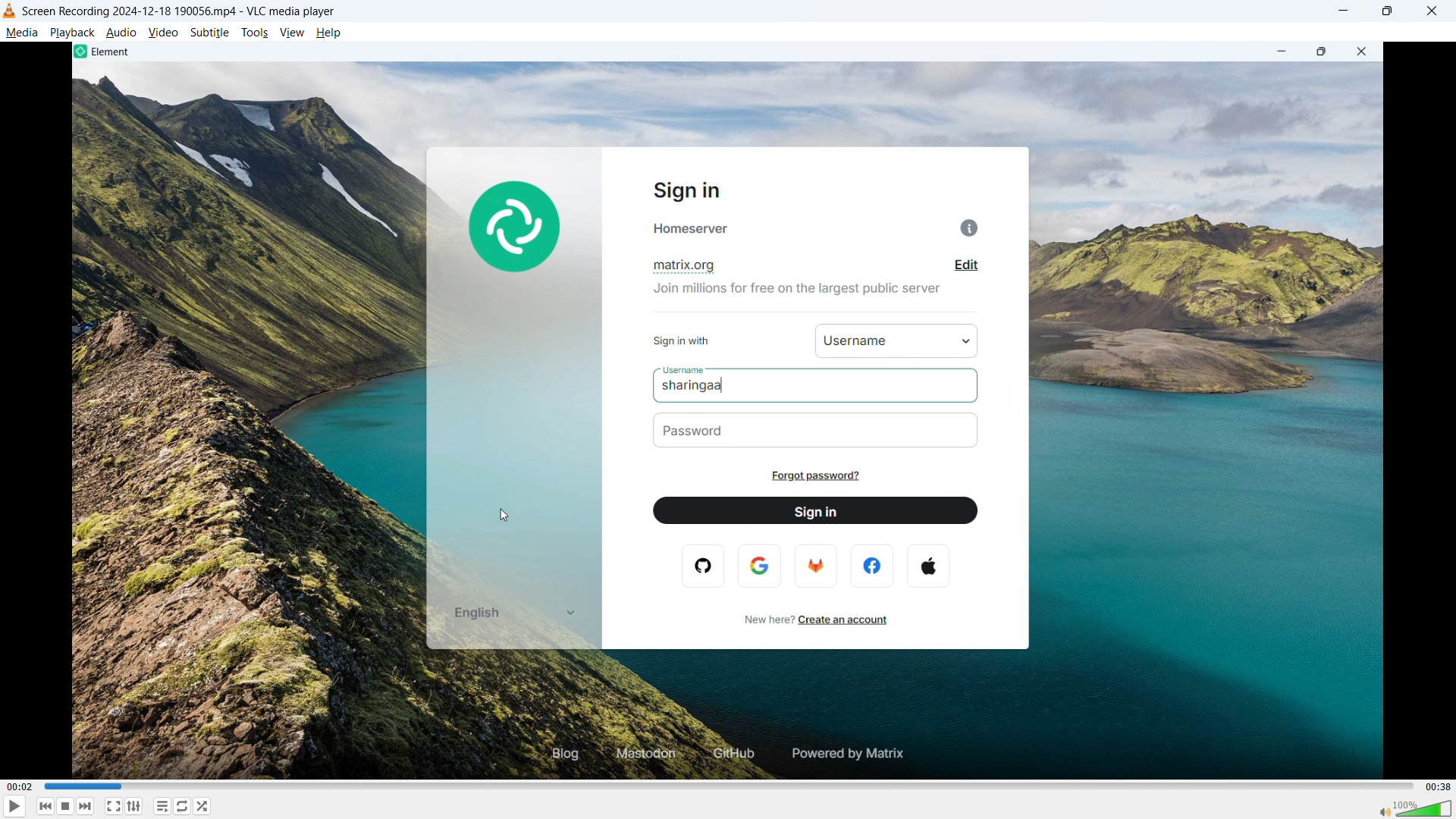 The height and width of the screenshot is (819, 1456). I want to click on Playback , so click(73, 33).